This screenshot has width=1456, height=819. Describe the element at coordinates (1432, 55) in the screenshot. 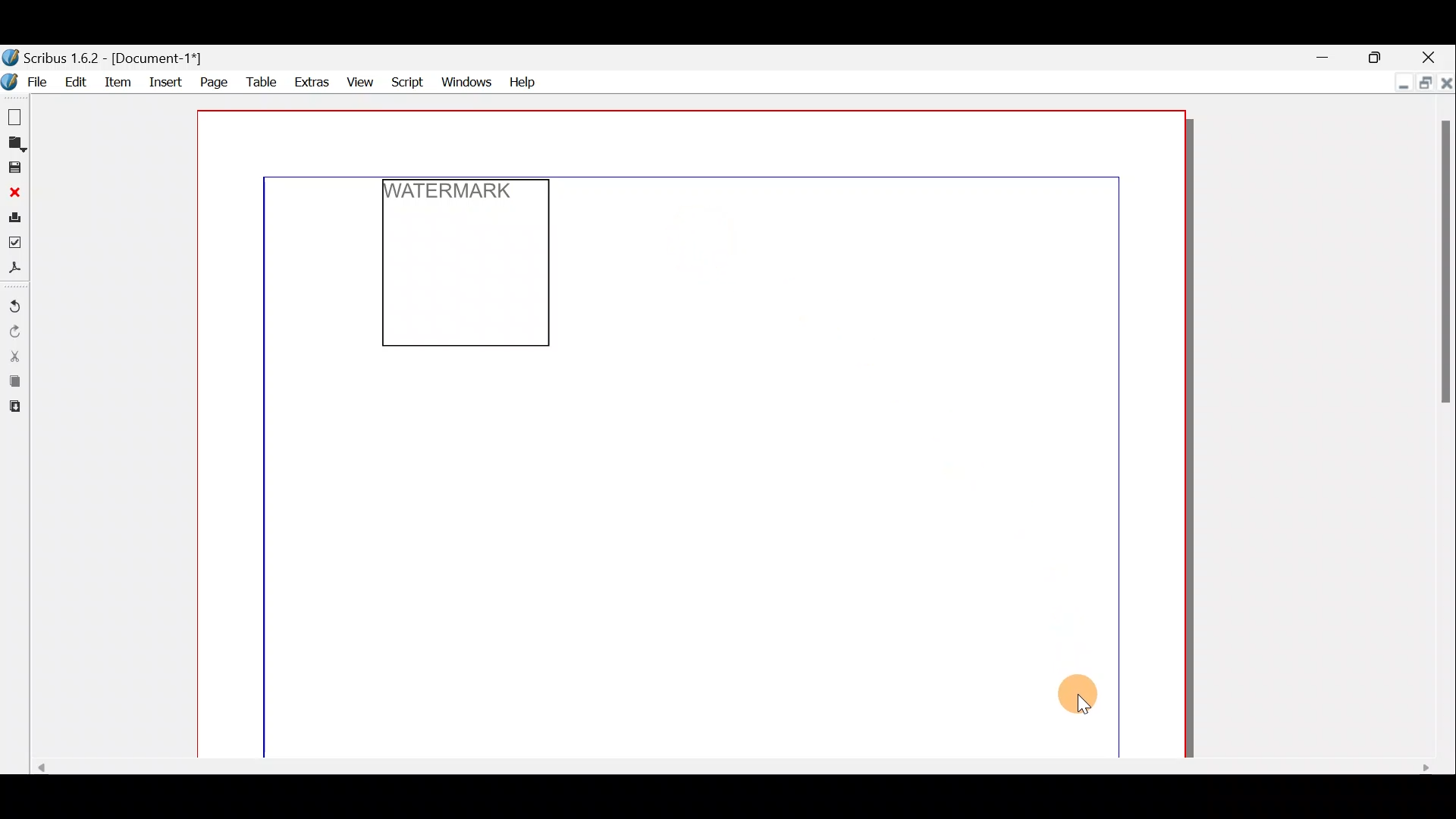

I see `Close` at that location.